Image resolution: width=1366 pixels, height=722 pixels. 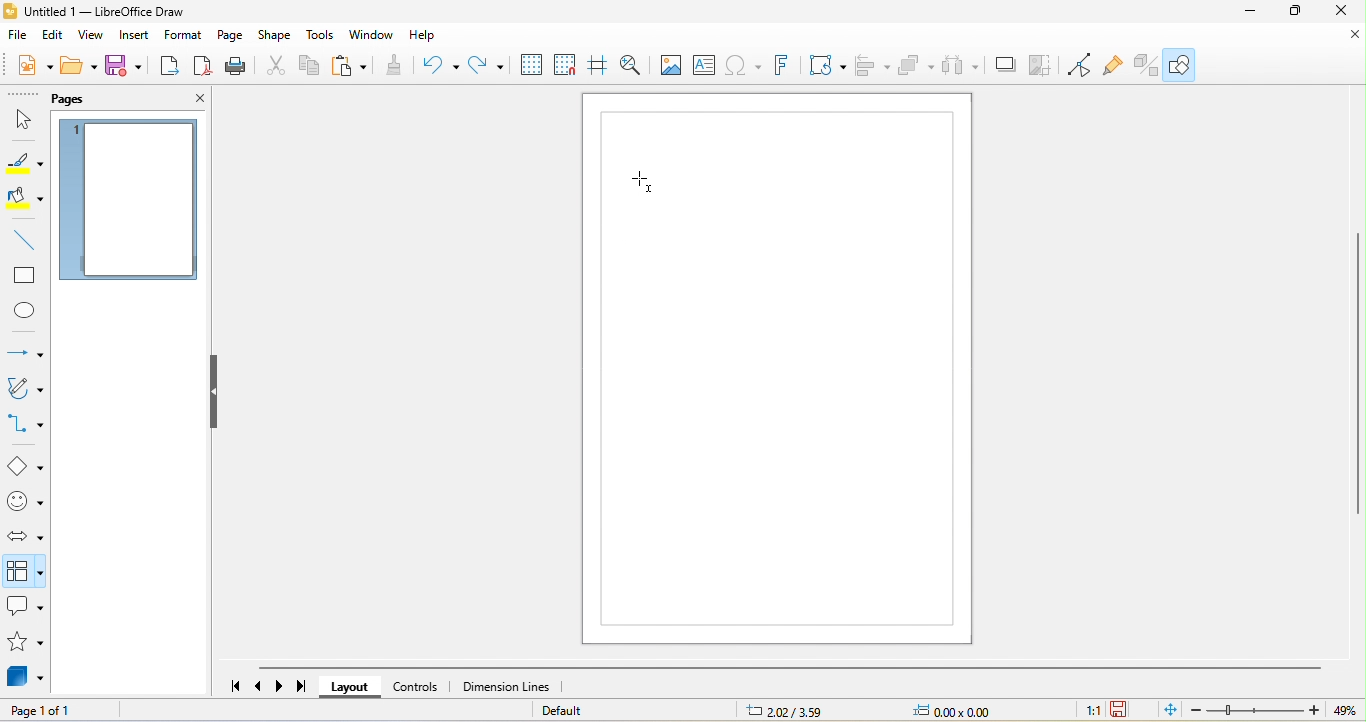 What do you see at coordinates (1084, 66) in the screenshot?
I see `toggle point edit mode` at bounding box center [1084, 66].